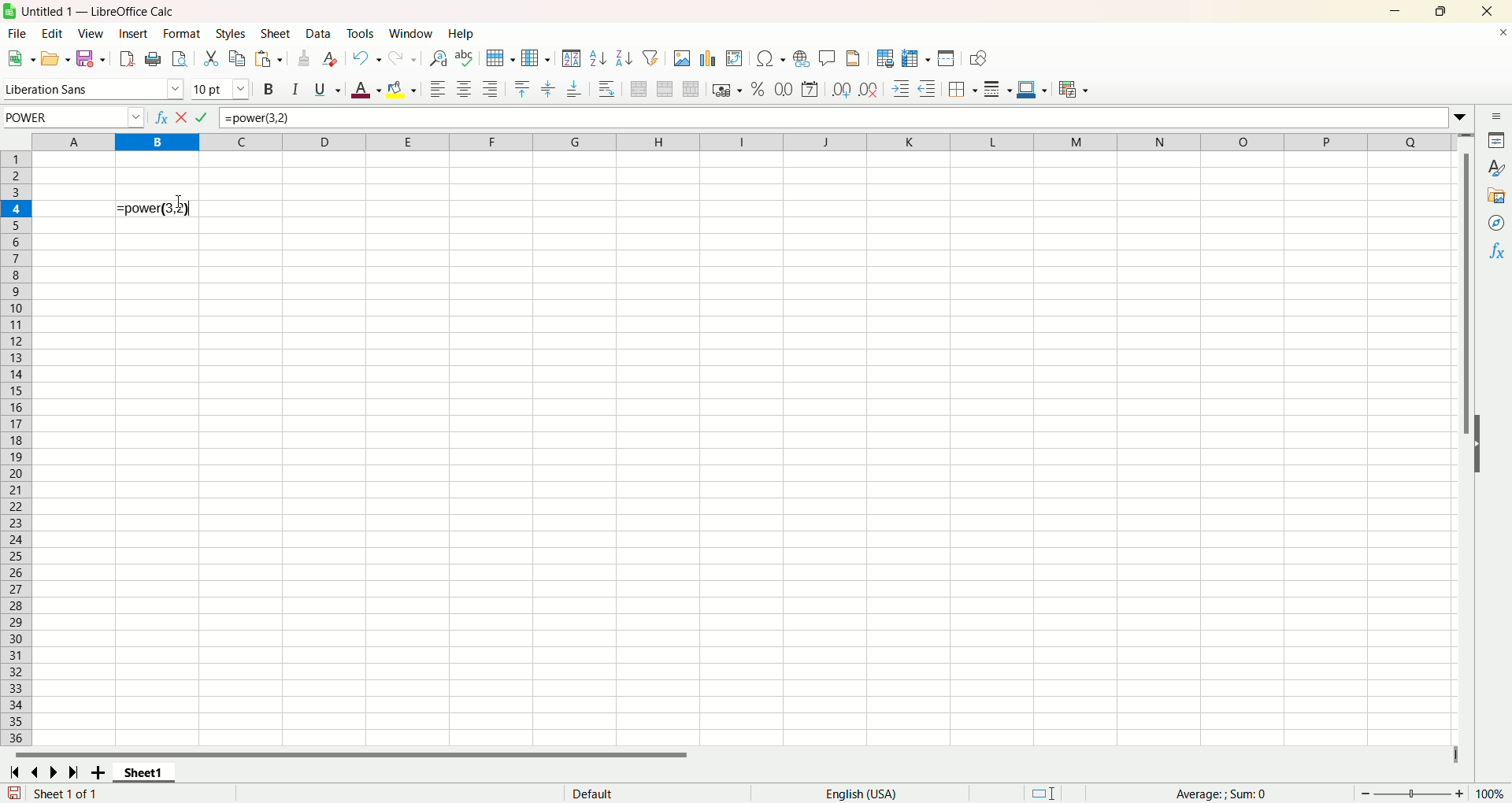  Describe the element at coordinates (1493, 793) in the screenshot. I see `zoom percent` at that location.